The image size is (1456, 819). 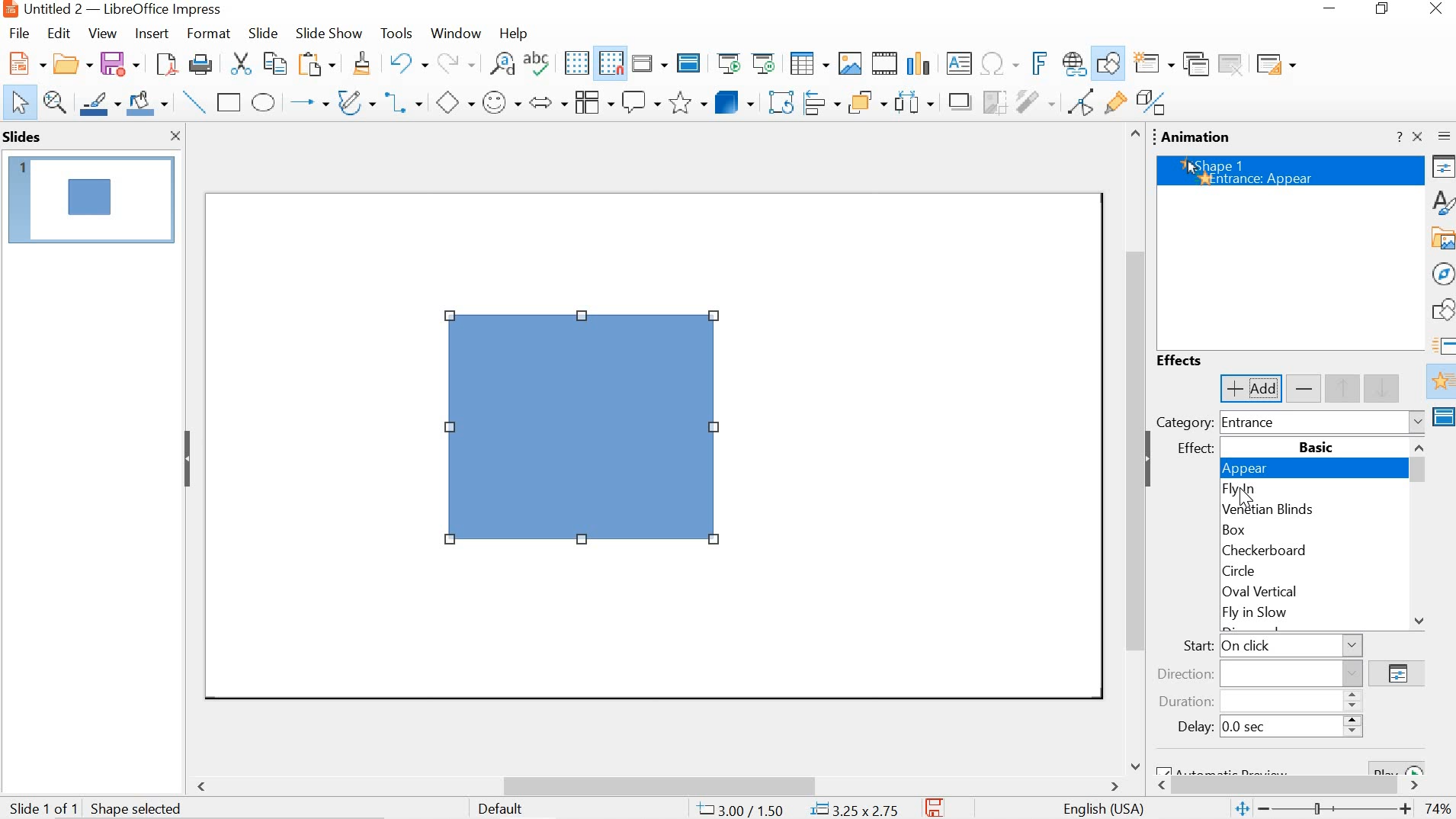 What do you see at coordinates (110, 10) in the screenshot?
I see `Untitled 2 - LibreOffice Impress` at bounding box center [110, 10].